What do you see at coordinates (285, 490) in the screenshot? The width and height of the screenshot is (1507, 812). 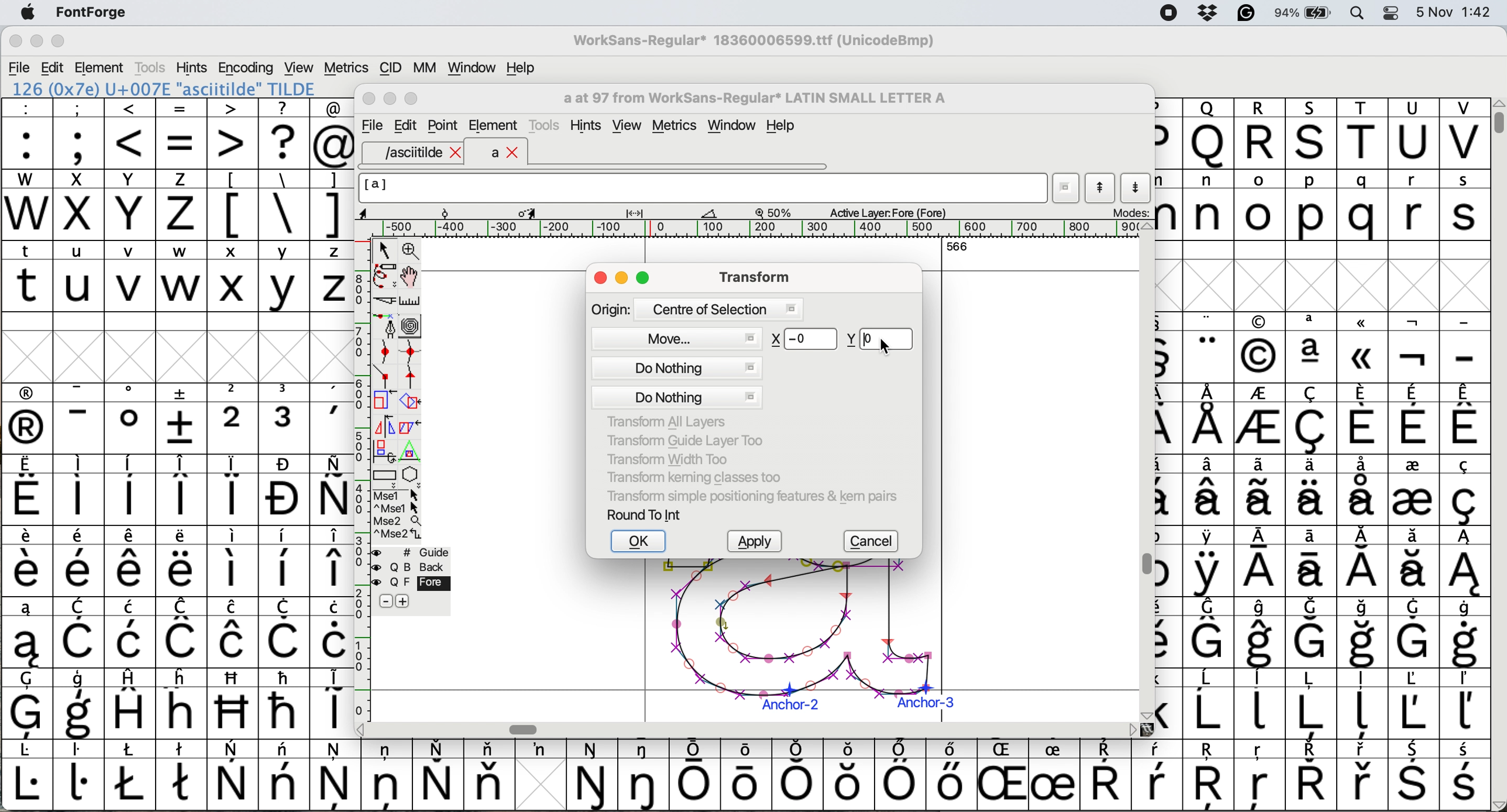 I see `symbol` at bounding box center [285, 490].